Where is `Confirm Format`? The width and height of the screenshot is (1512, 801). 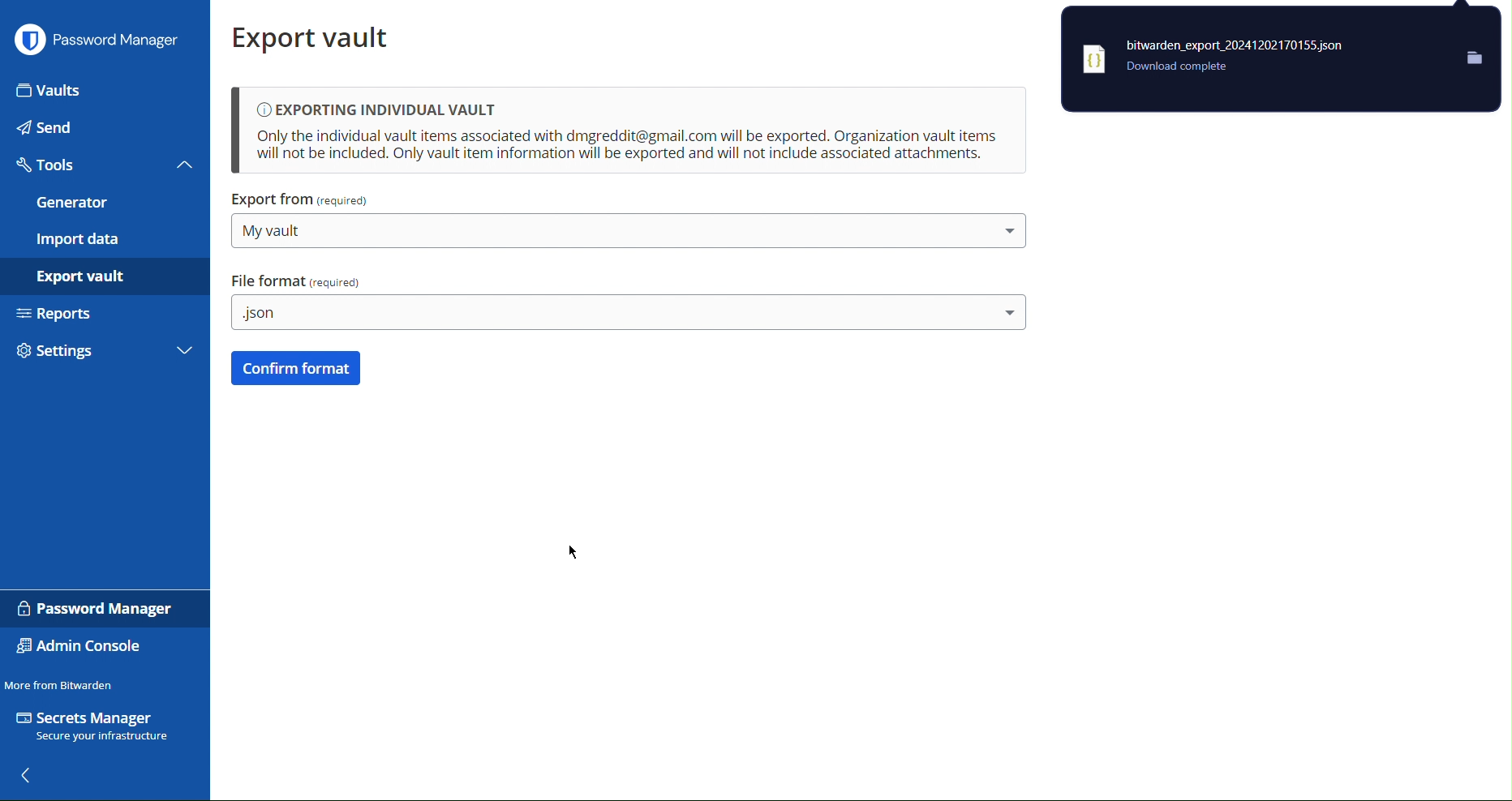 Confirm Format is located at coordinates (298, 368).